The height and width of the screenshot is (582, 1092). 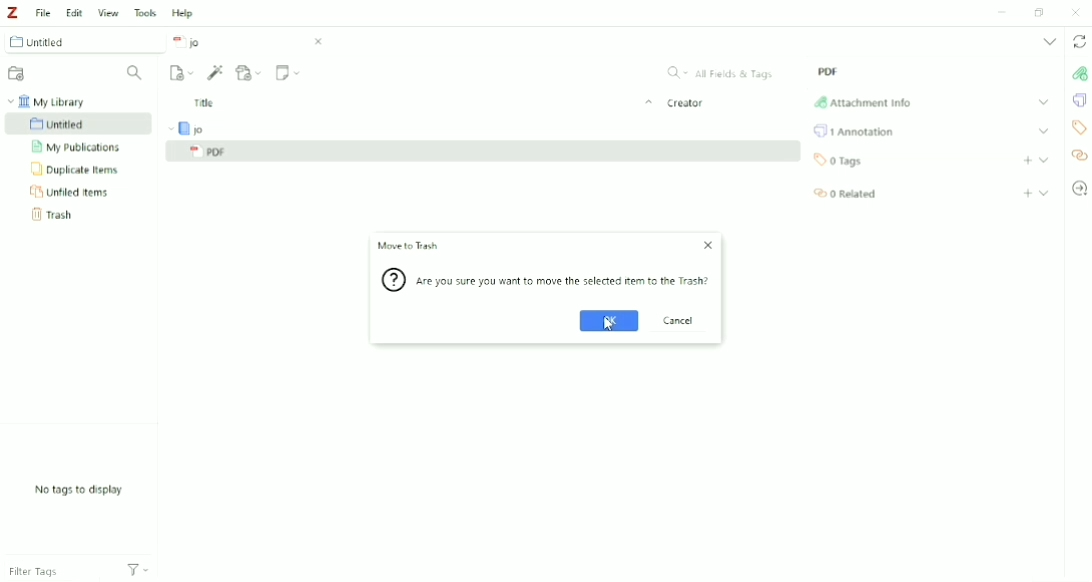 What do you see at coordinates (138, 74) in the screenshot?
I see `Filter Collections` at bounding box center [138, 74].